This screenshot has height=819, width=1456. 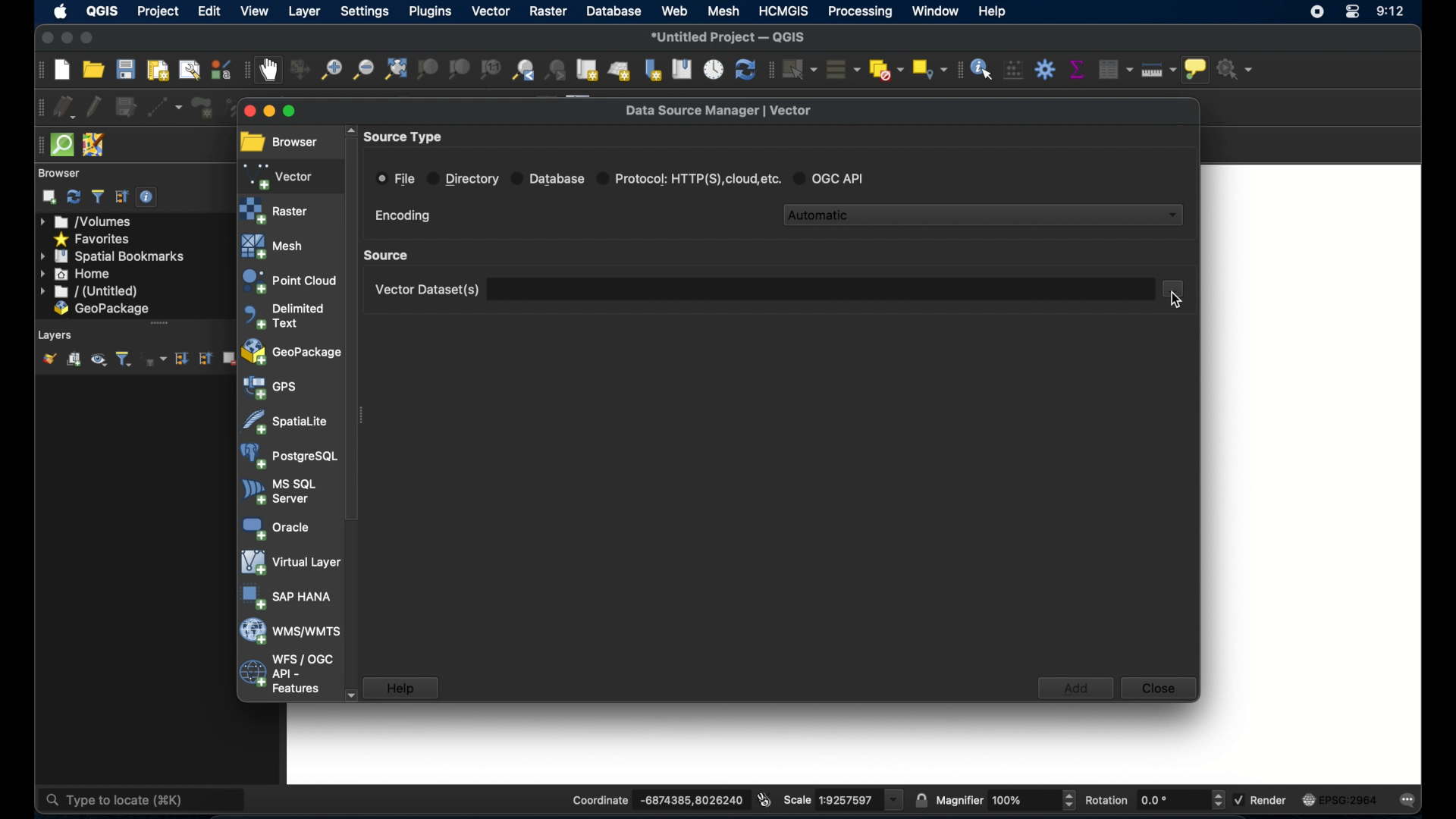 I want to click on pan map, so click(x=270, y=71).